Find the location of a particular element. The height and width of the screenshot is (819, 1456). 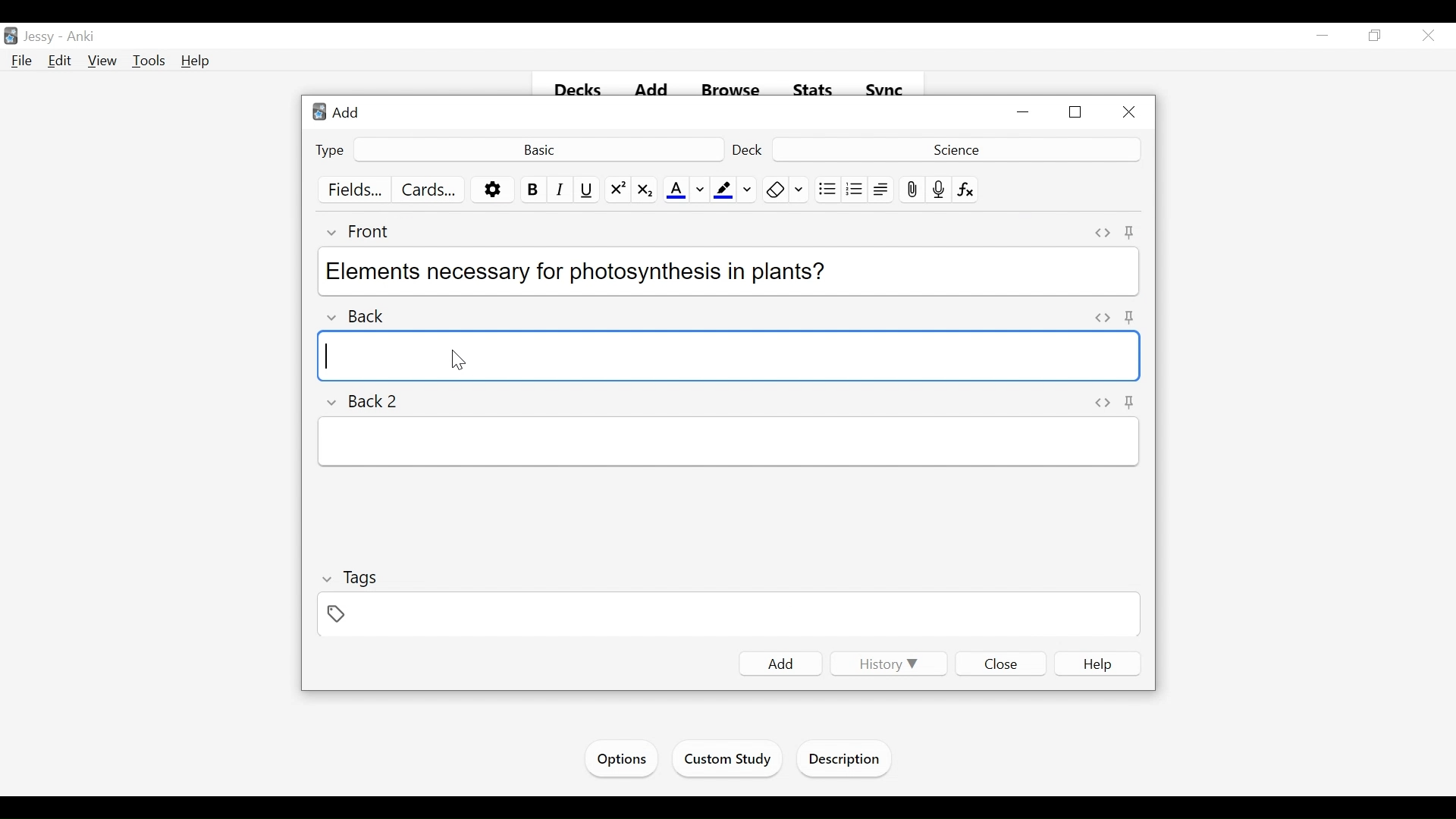

Stats is located at coordinates (814, 90).